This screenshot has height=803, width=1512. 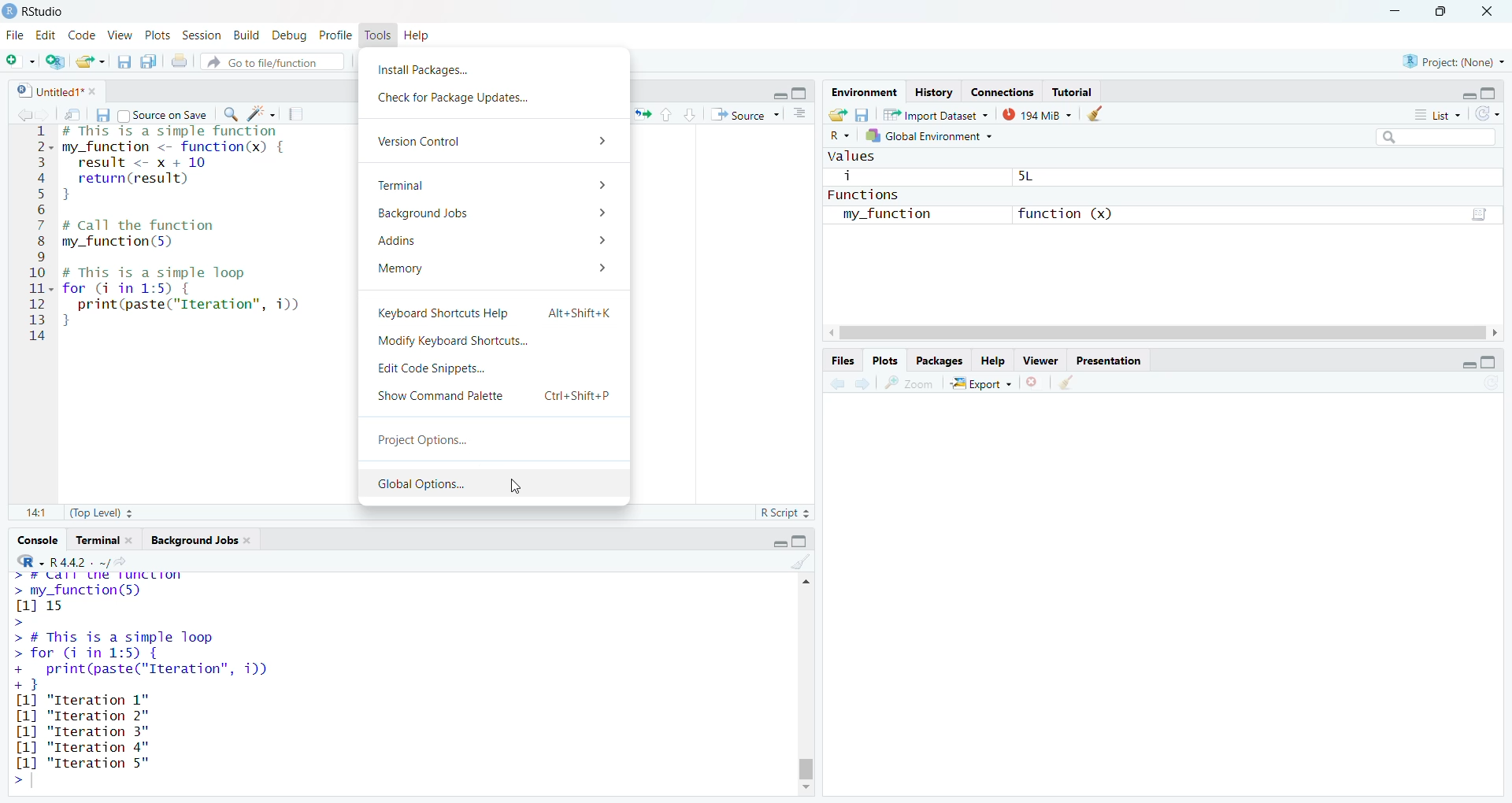 I want to click on plots, so click(x=156, y=34).